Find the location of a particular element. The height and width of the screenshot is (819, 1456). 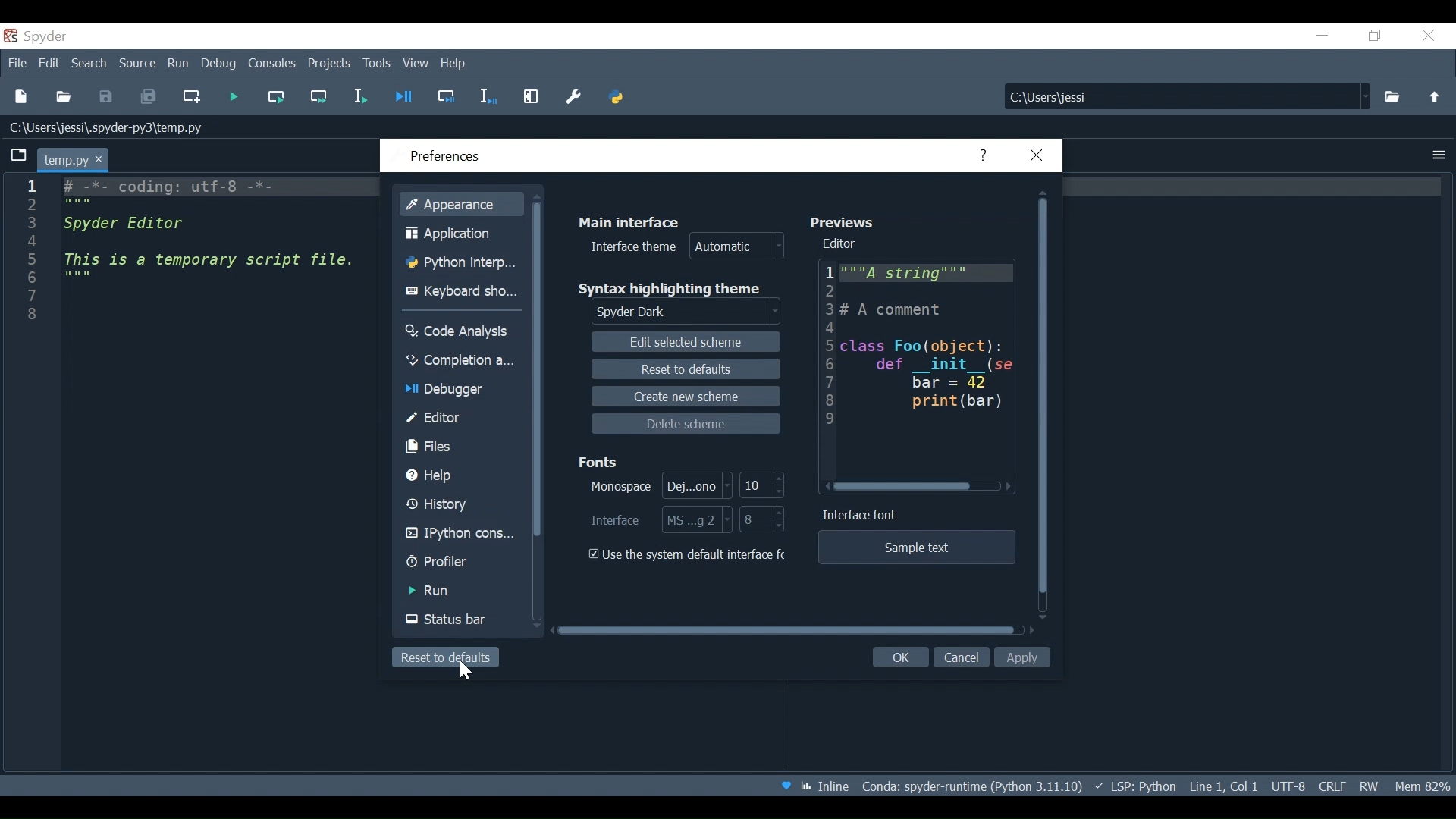

Search is located at coordinates (90, 64).